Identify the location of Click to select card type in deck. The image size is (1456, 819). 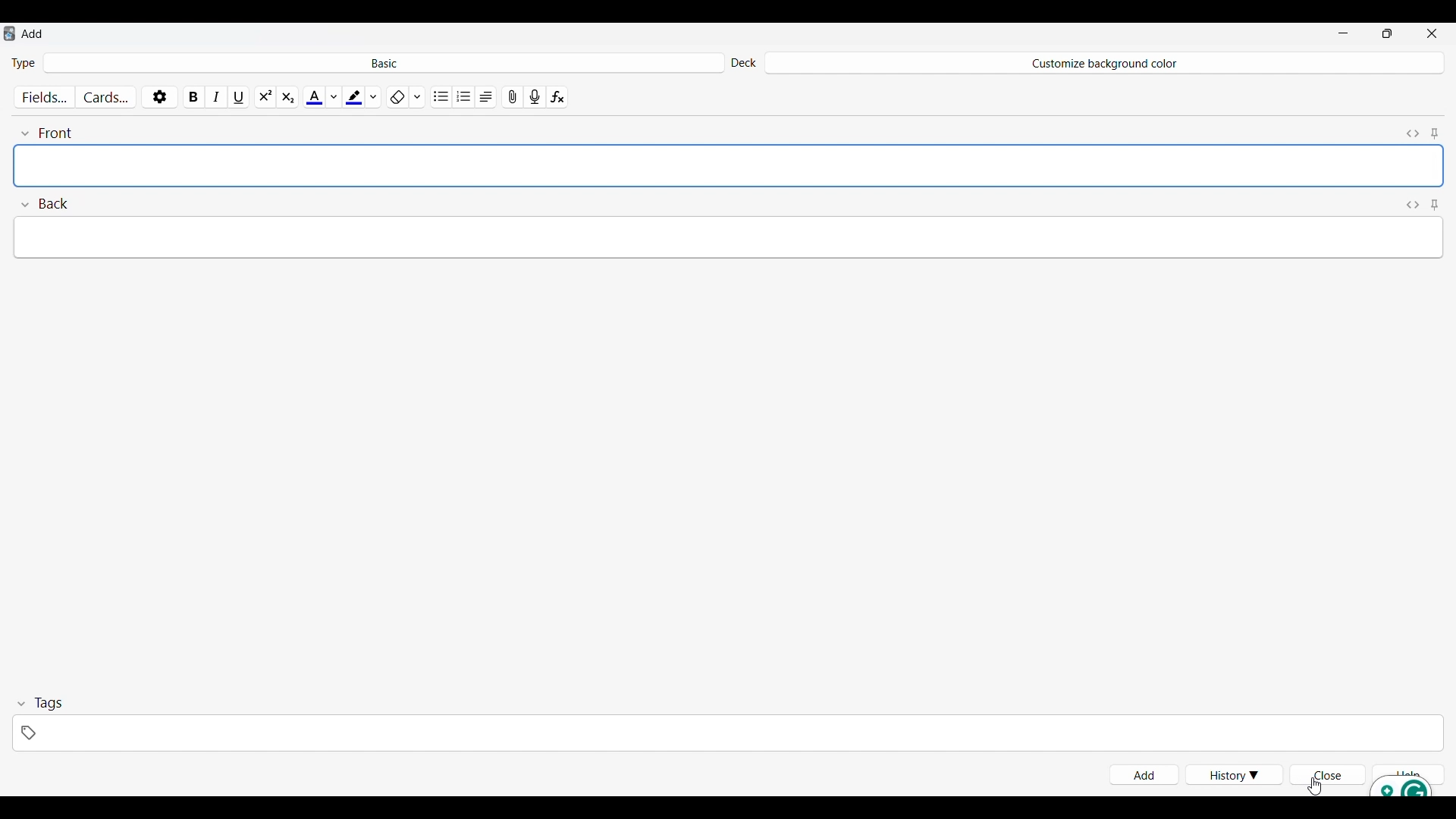
(384, 61).